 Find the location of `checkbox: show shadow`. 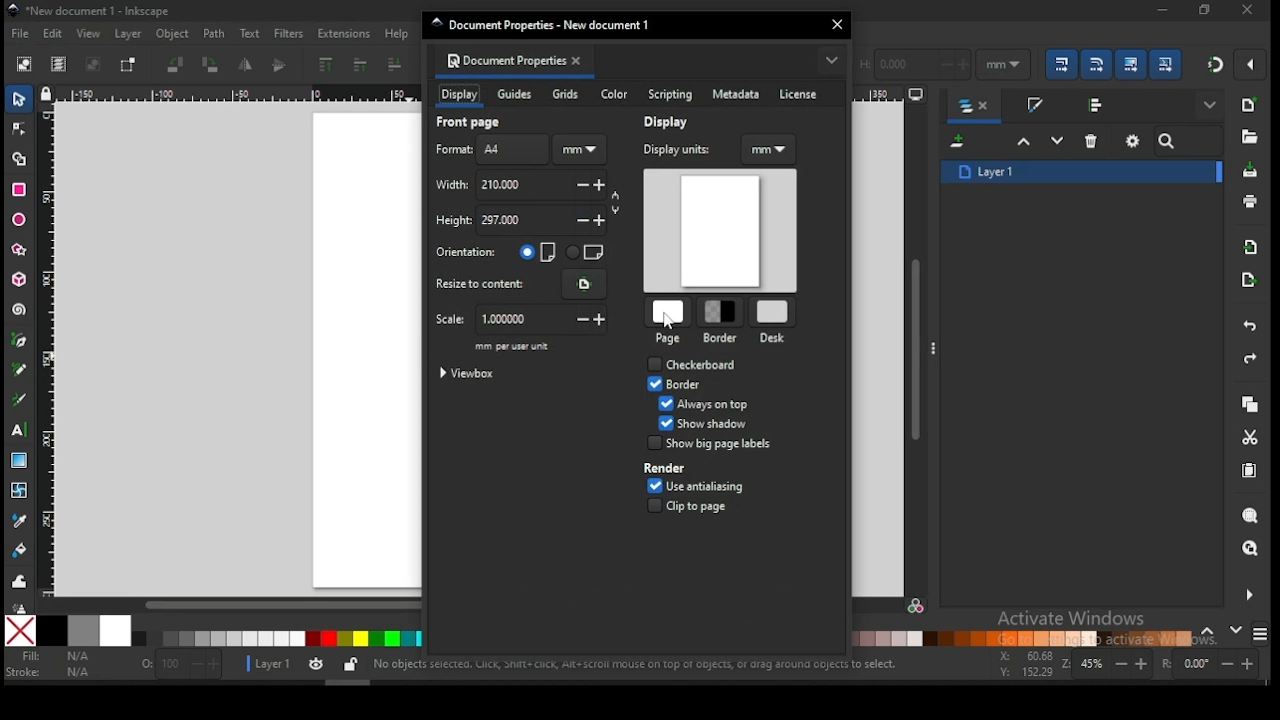

checkbox: show shadow is located at coordinates (705, 425).